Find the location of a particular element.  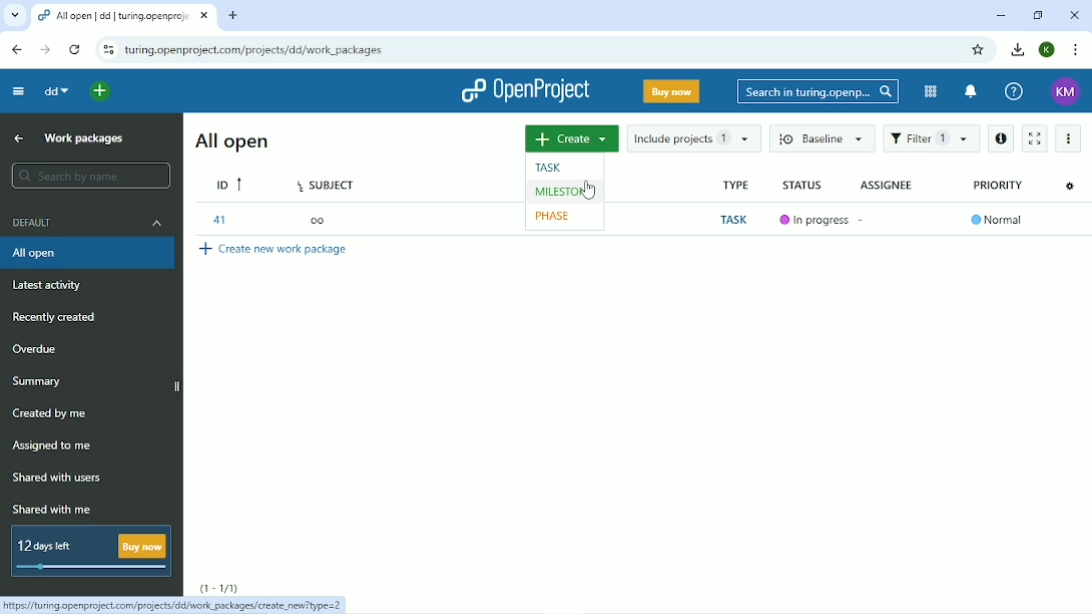

dd is located at coordinates (57, 91).